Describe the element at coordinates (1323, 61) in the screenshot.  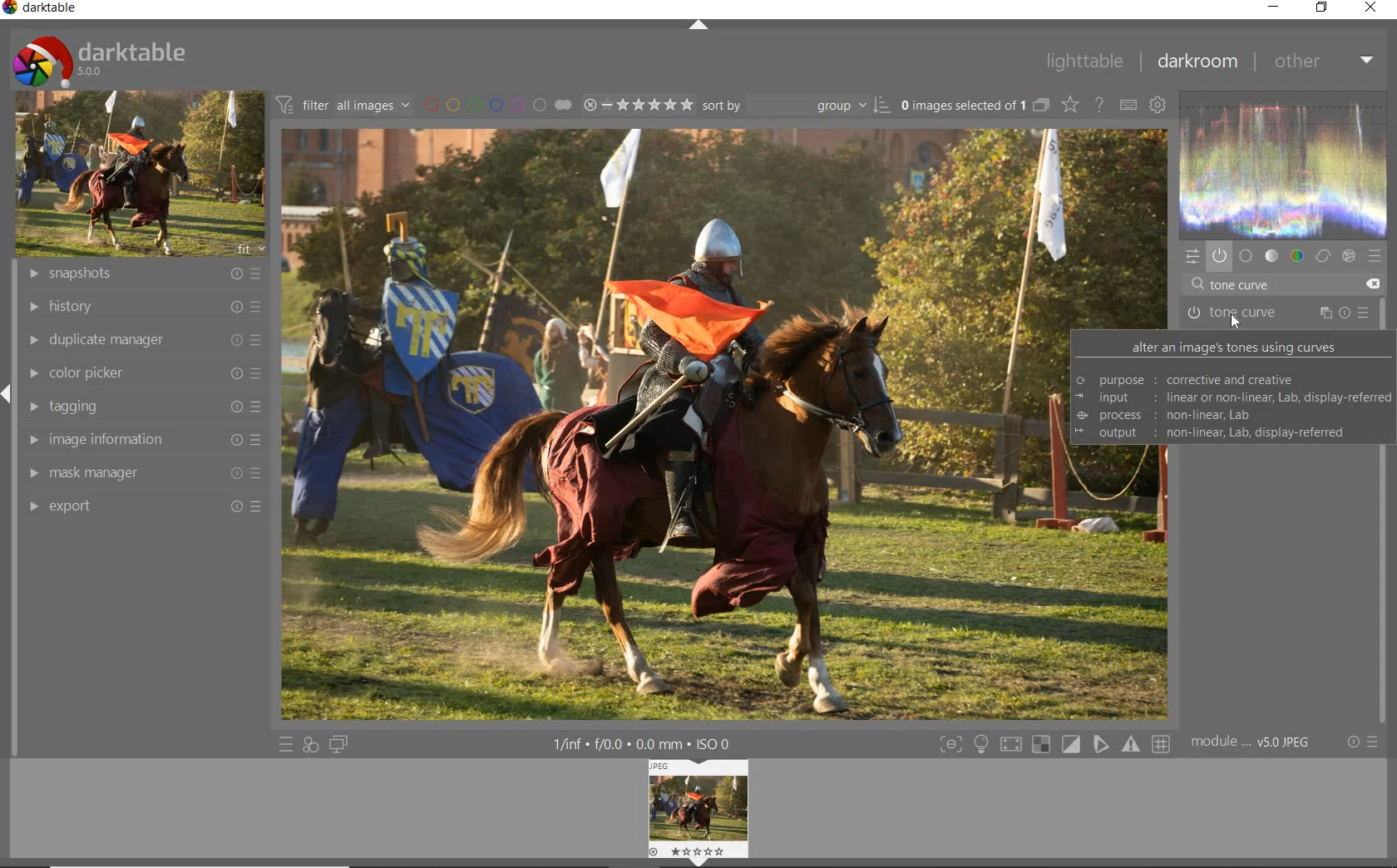
I see `other` at that location.